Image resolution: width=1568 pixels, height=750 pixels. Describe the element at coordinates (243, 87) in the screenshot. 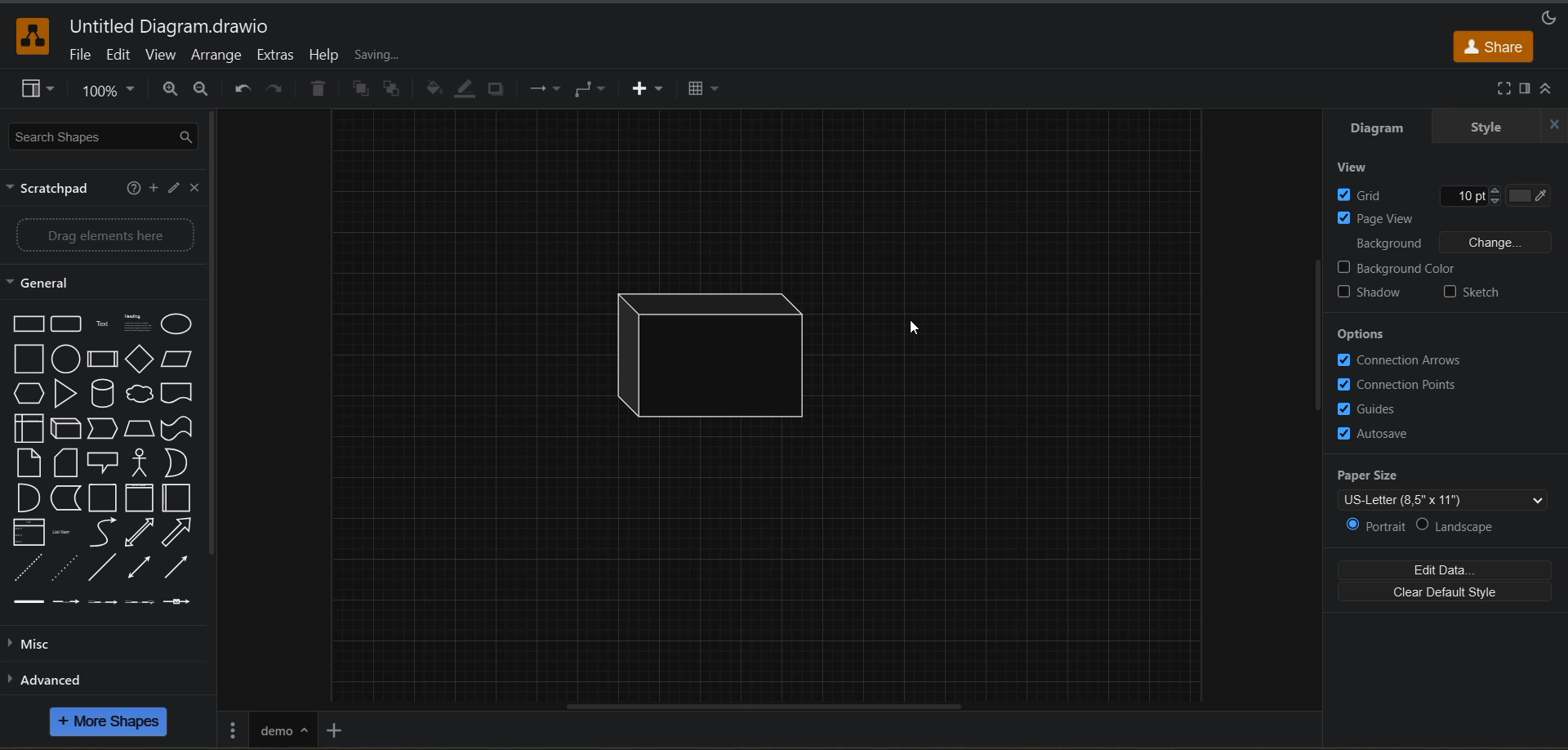

I see `undo` at that location.